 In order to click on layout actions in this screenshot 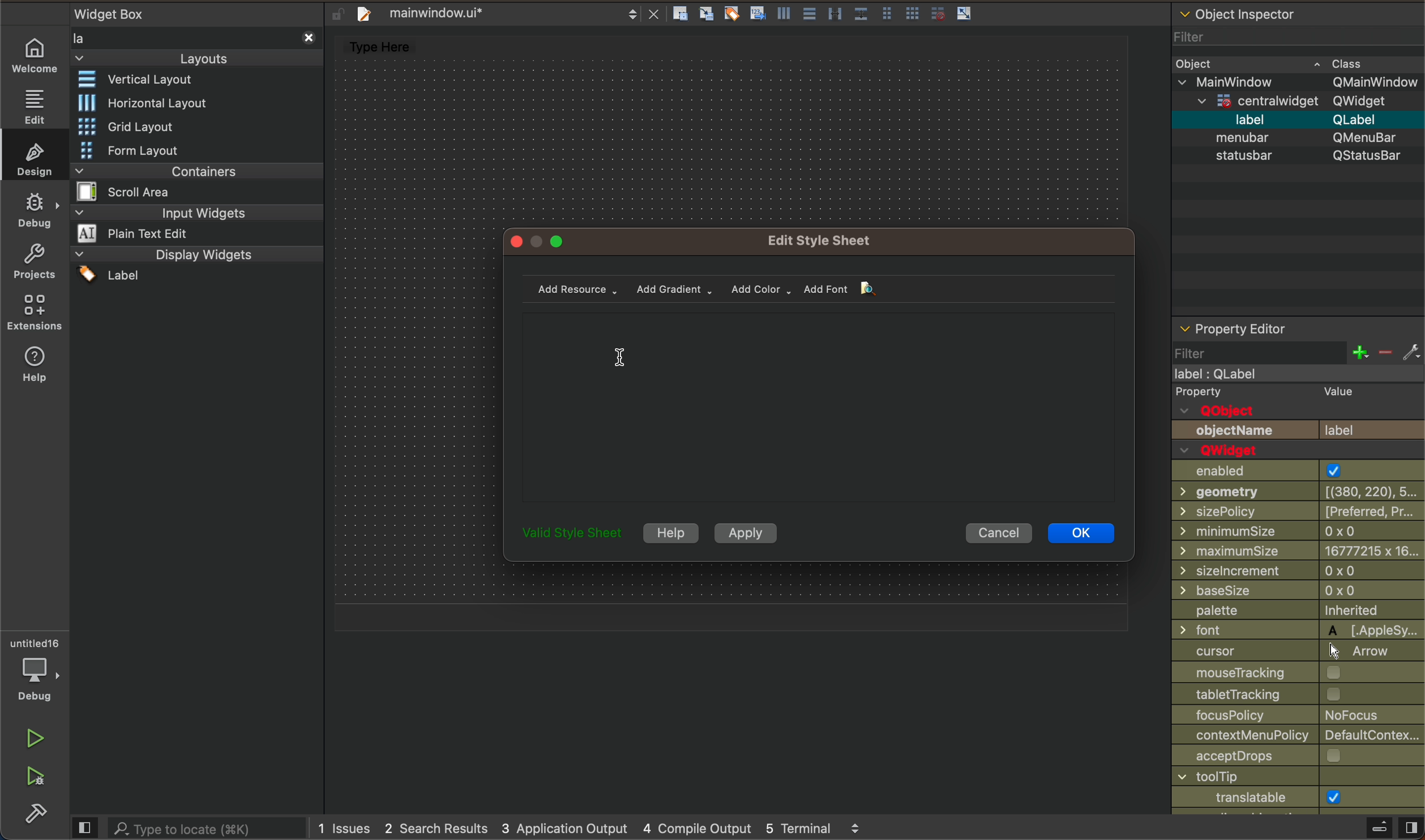, I will do `click(832, 12)`.